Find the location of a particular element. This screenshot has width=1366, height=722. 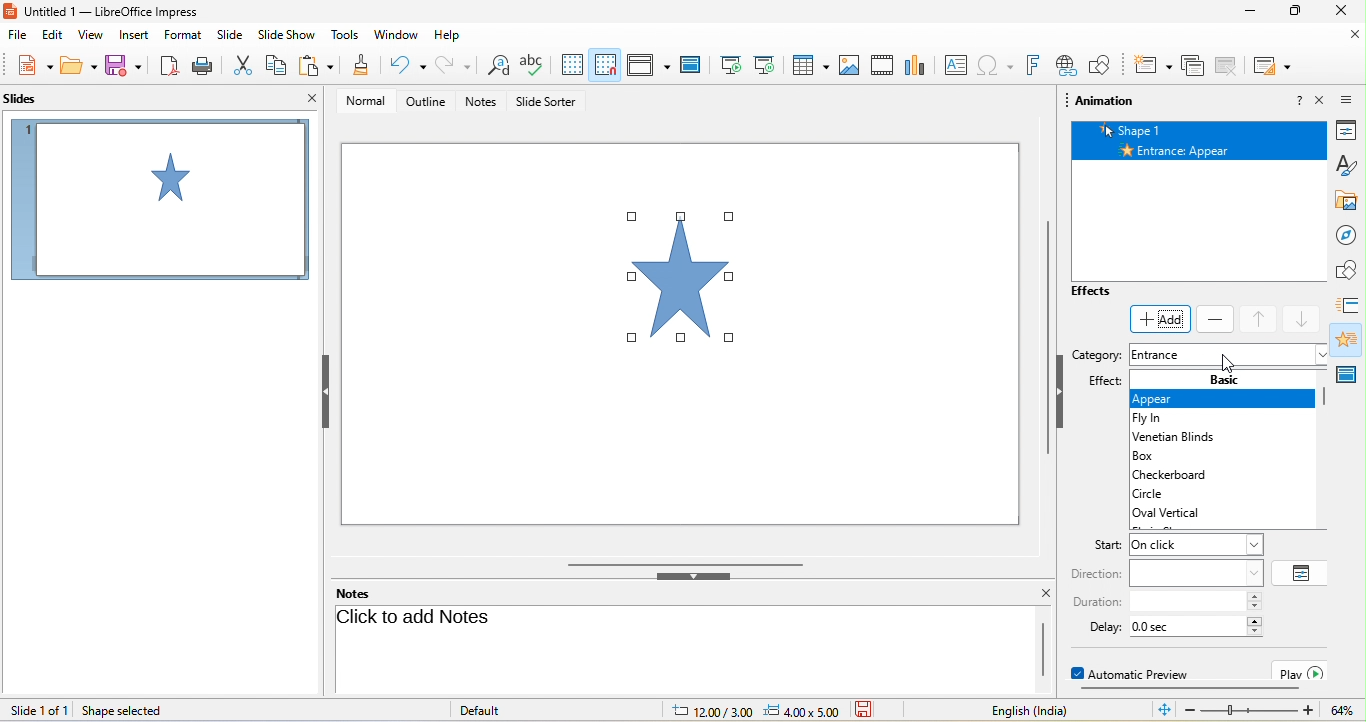

current zoom is located at coordinates (1342, 710).